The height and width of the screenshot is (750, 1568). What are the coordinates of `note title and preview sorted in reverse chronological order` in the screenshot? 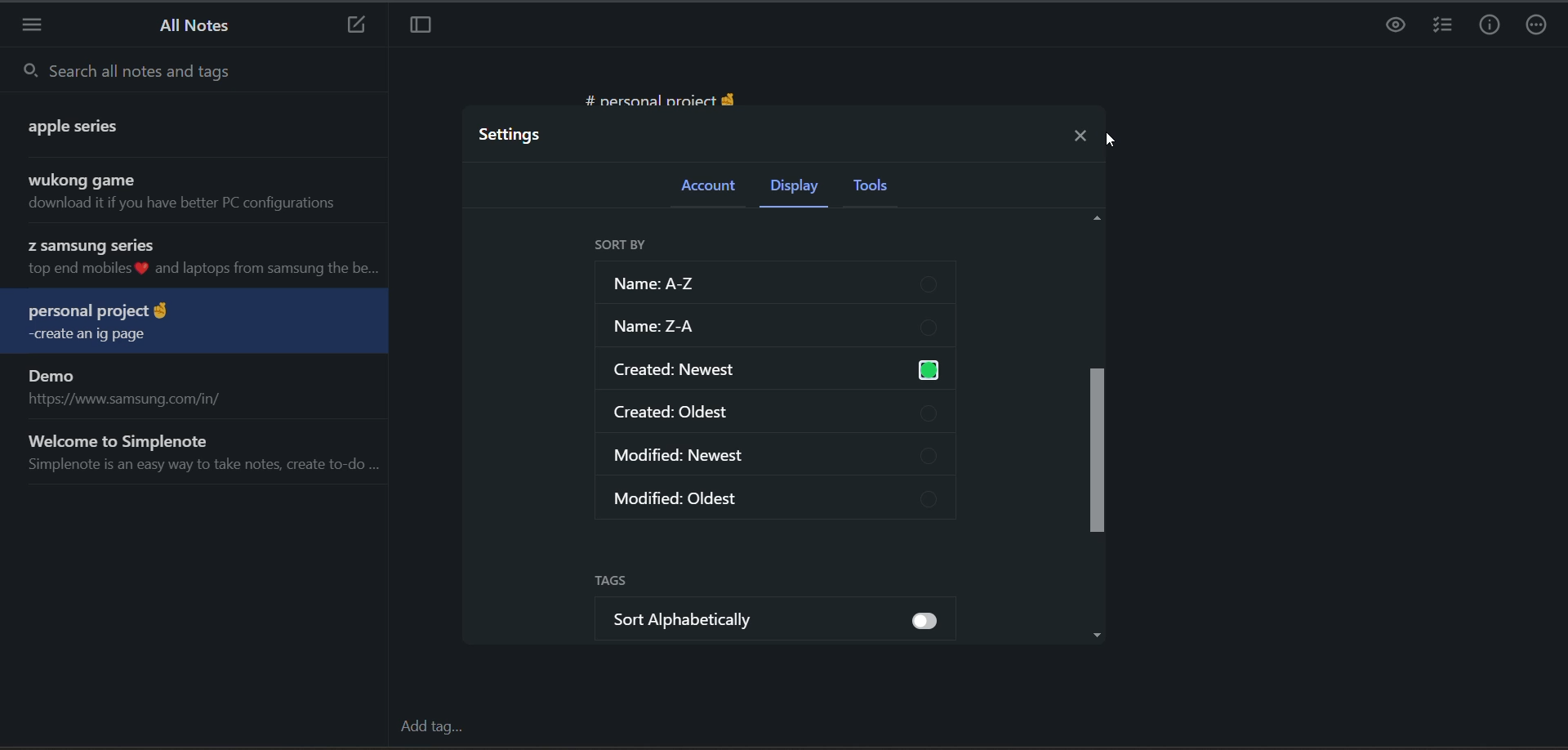 It's located at (200, 453).